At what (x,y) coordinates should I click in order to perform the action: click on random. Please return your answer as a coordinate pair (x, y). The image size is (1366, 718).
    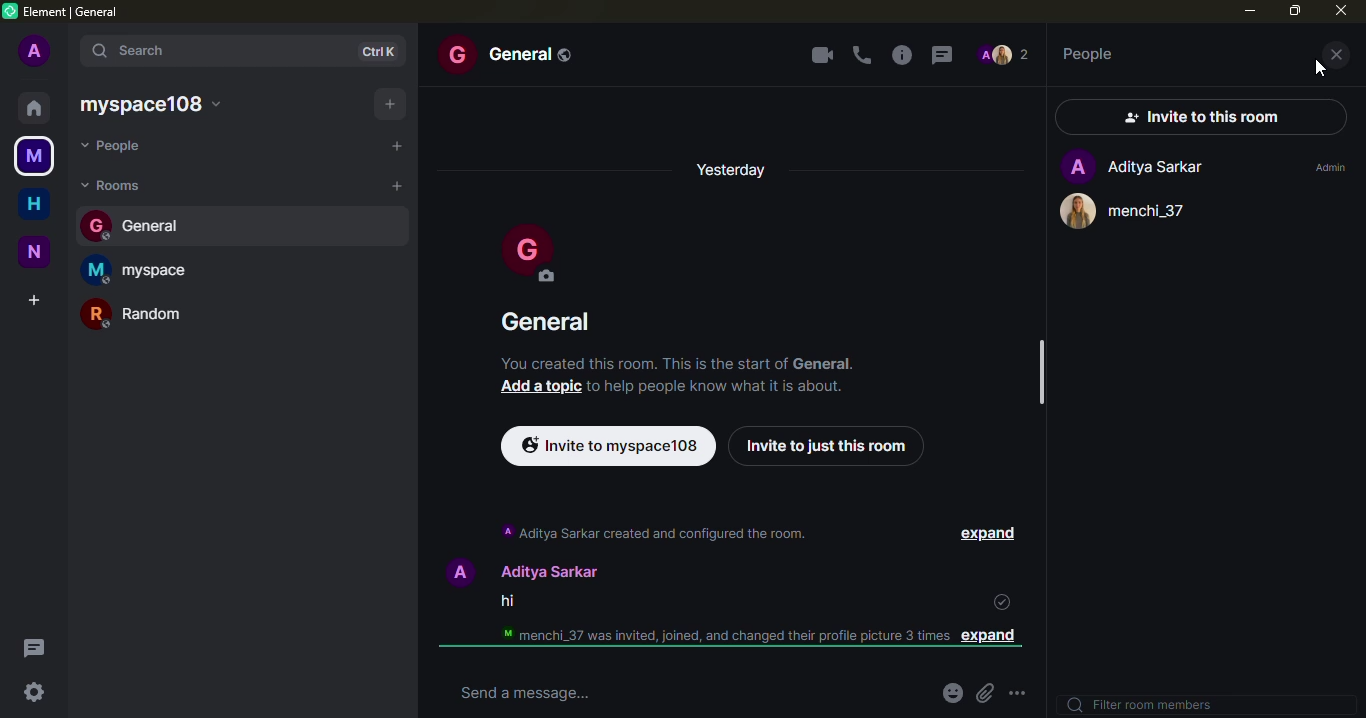
    Looking at the image, I should click on (145, 314).